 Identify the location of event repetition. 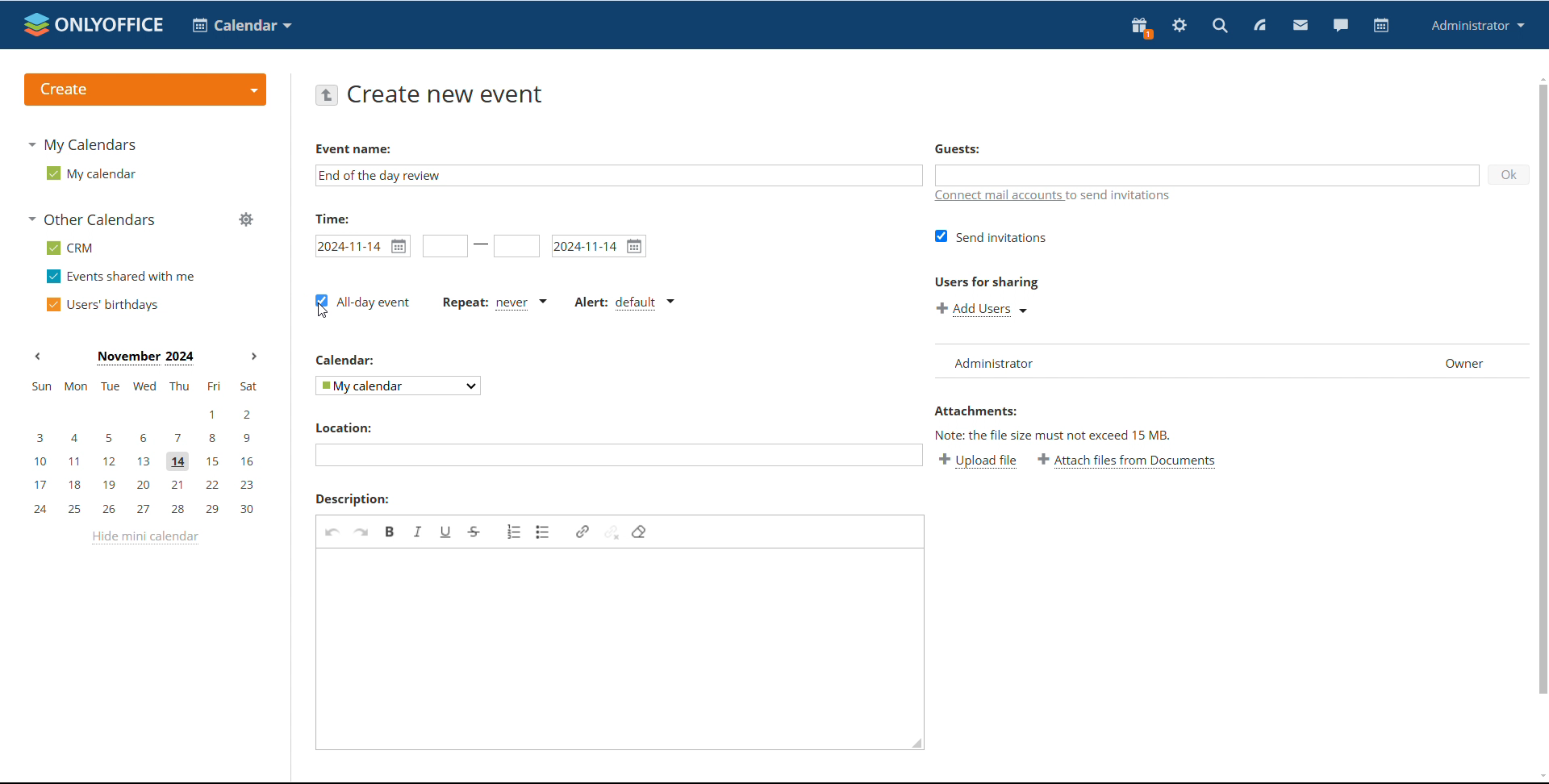
(493, 302).